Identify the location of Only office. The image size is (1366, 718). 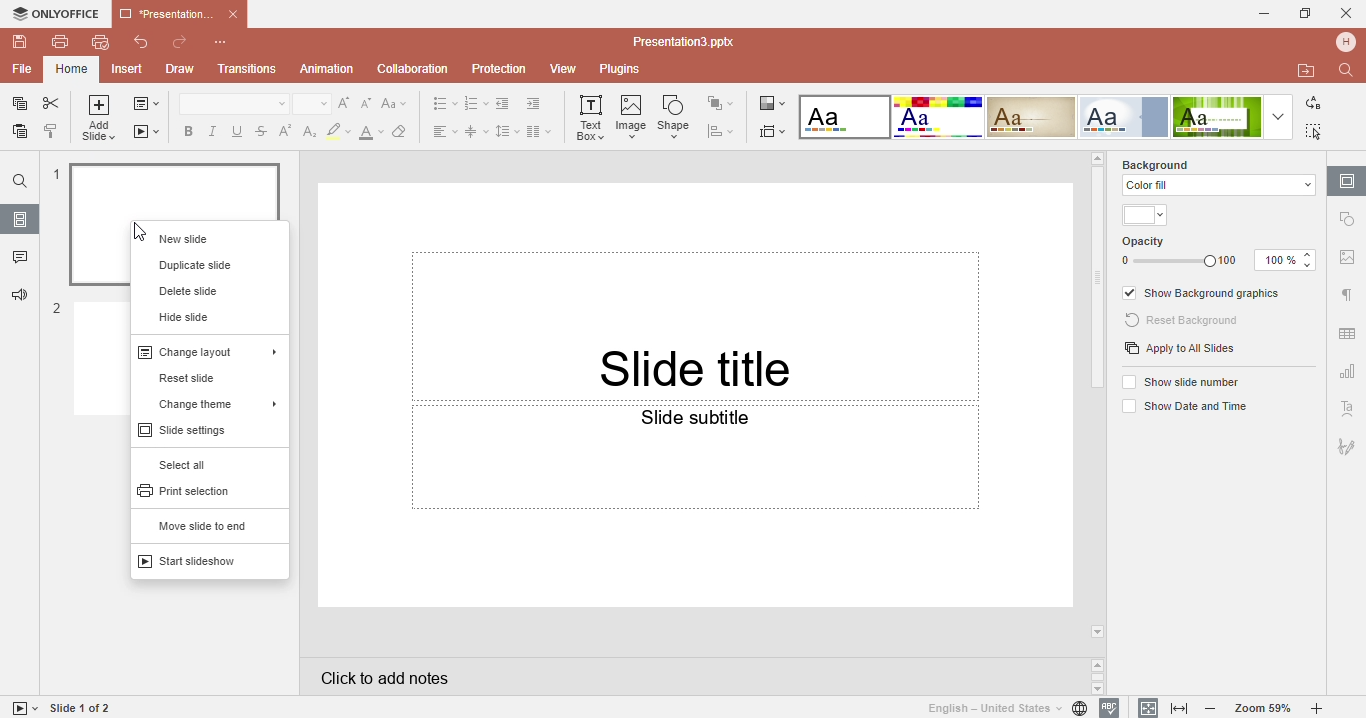
(54, 14).